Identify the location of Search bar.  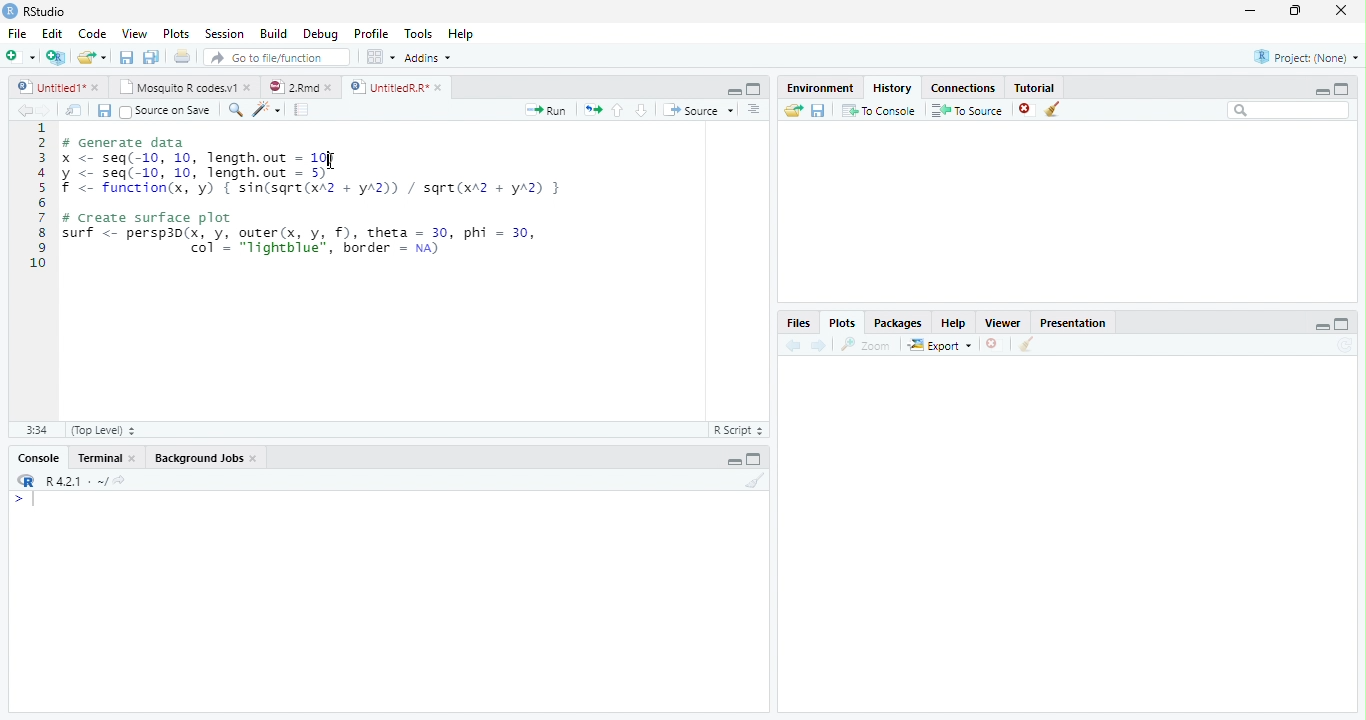
(1288, 110).